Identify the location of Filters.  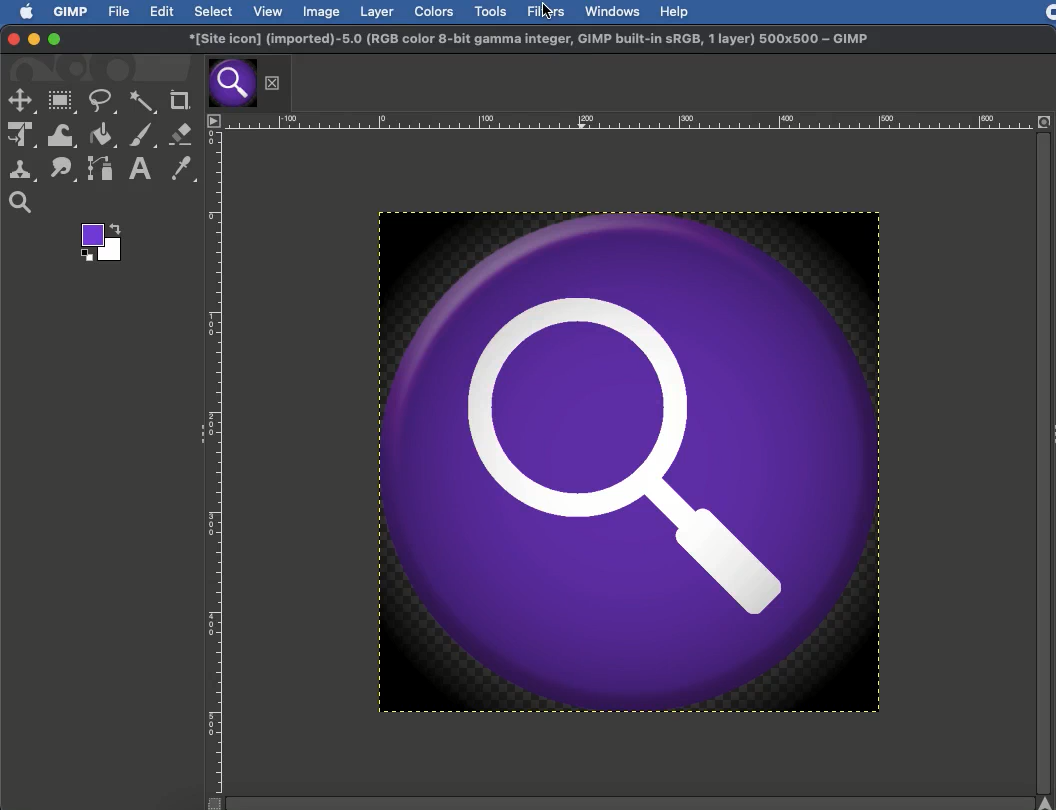
(547, 11).